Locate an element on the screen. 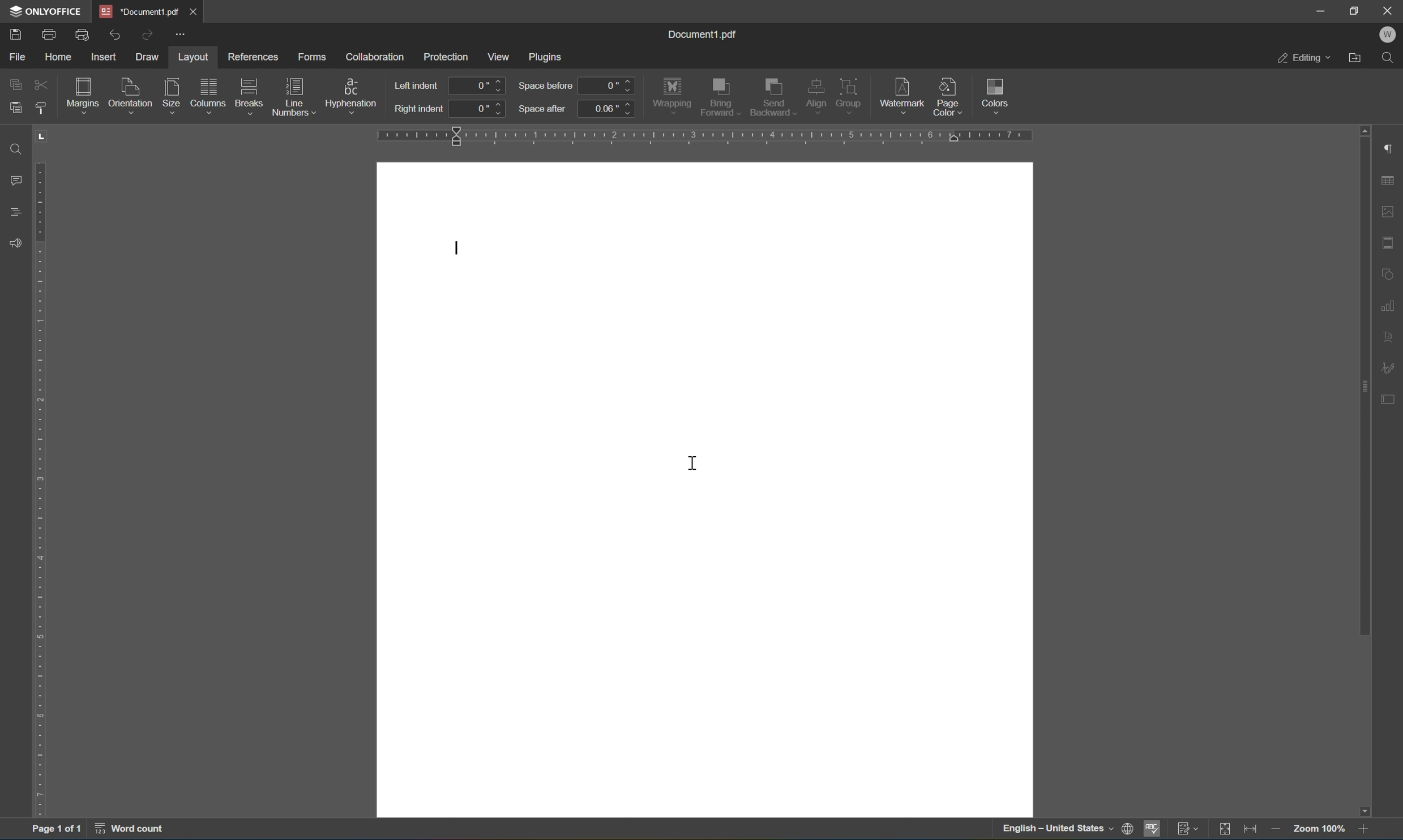 The image size is (1403, 840). 0 is located at coordinates (478, 85).